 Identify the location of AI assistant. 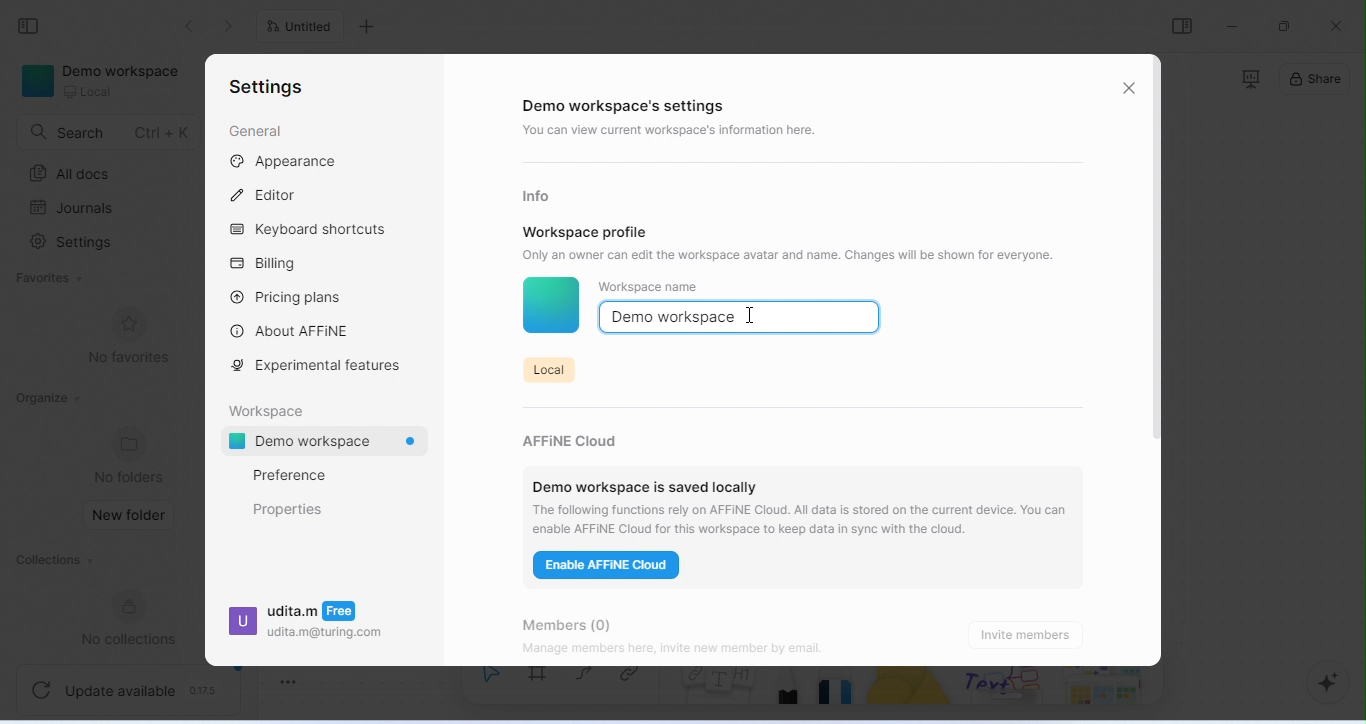
(1320, 683).